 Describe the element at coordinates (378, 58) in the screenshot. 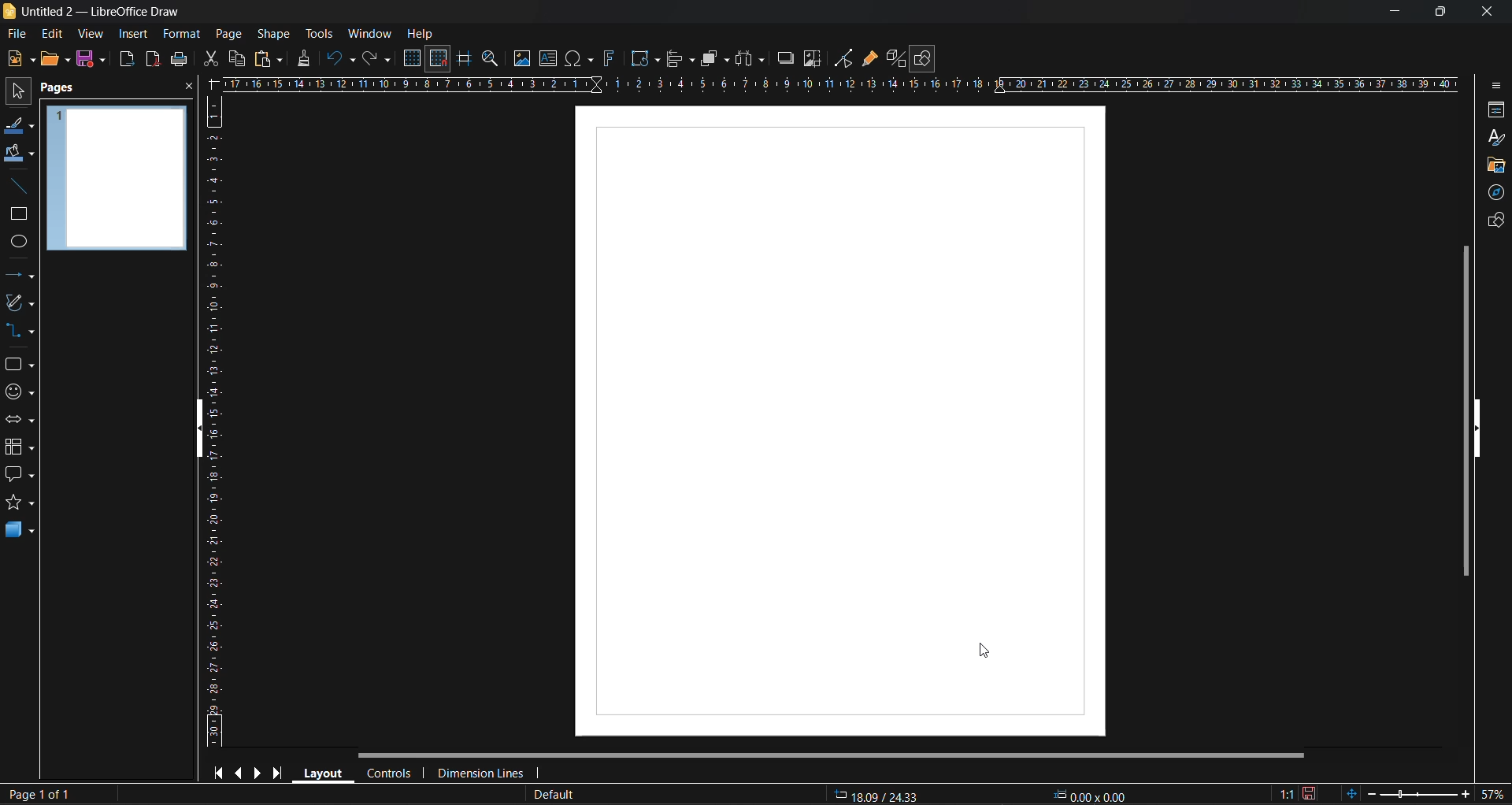

I see `redo` at that location.